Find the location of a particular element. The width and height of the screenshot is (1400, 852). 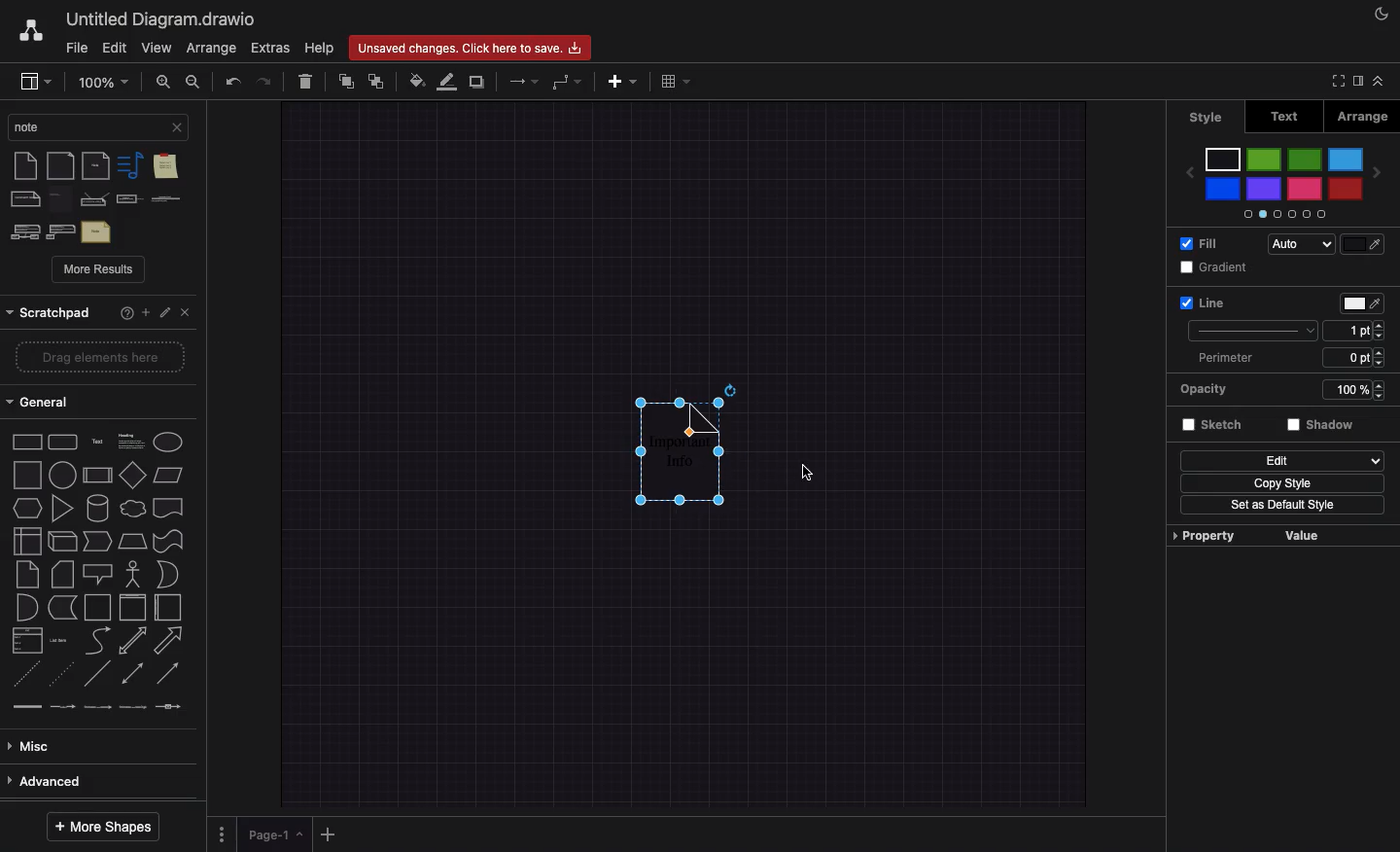

sky blue is located at coordinates (1346, 160).